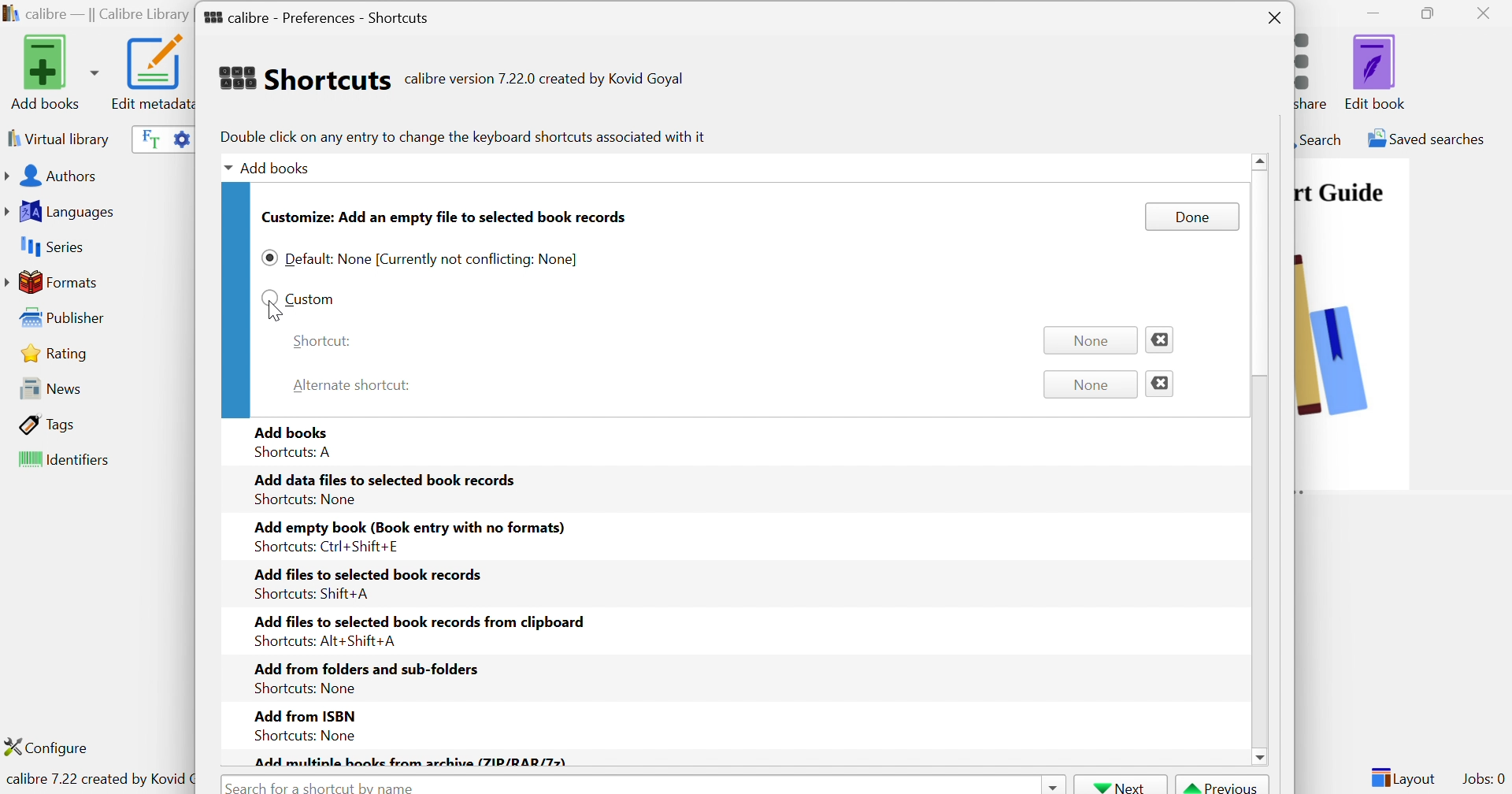  Describe the element at coordinates (324, 640) in the screenshot. I see `Shortcuts: Alt+Shift+A` at that location.